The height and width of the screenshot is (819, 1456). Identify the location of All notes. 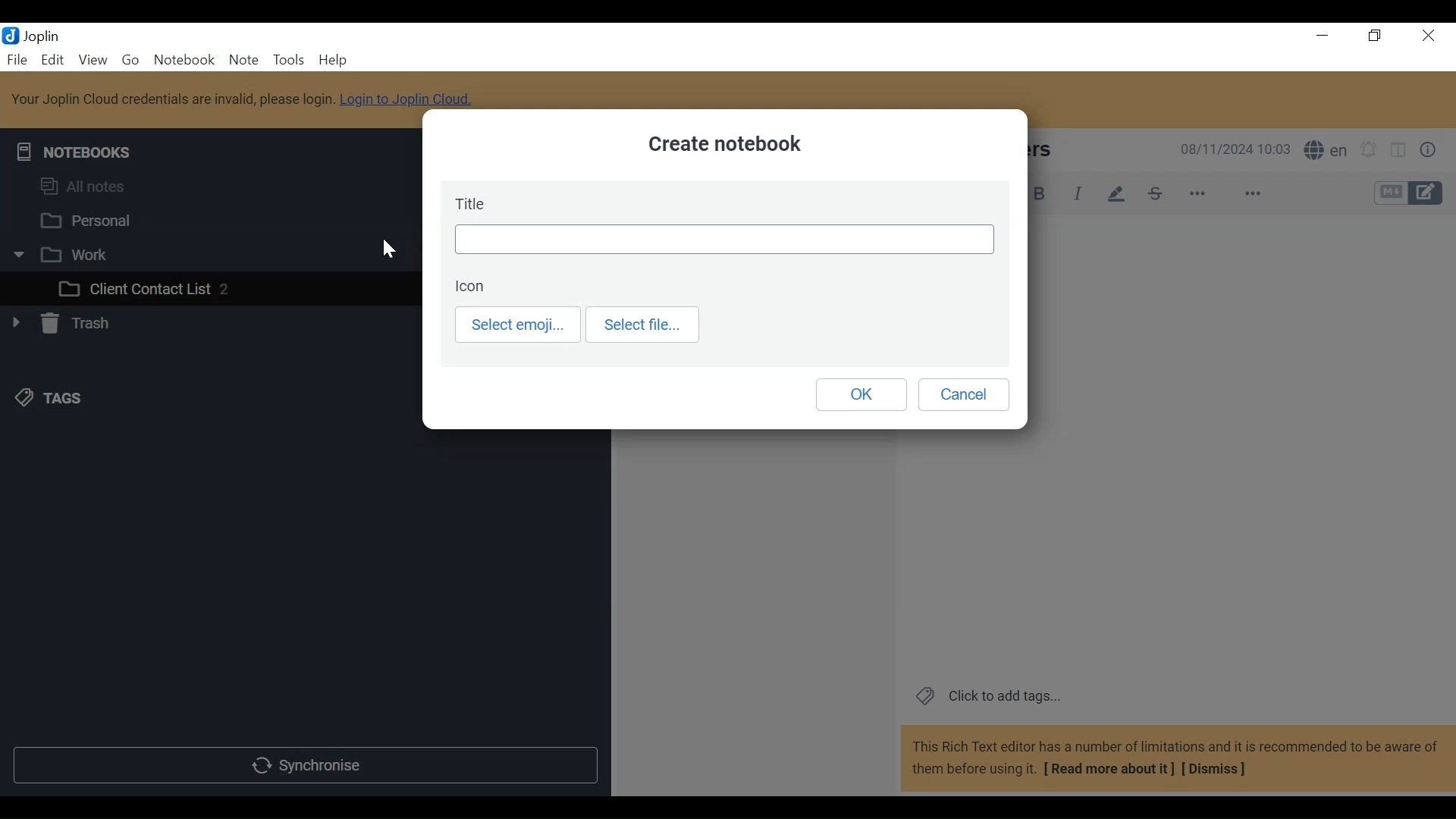
(87, 187).